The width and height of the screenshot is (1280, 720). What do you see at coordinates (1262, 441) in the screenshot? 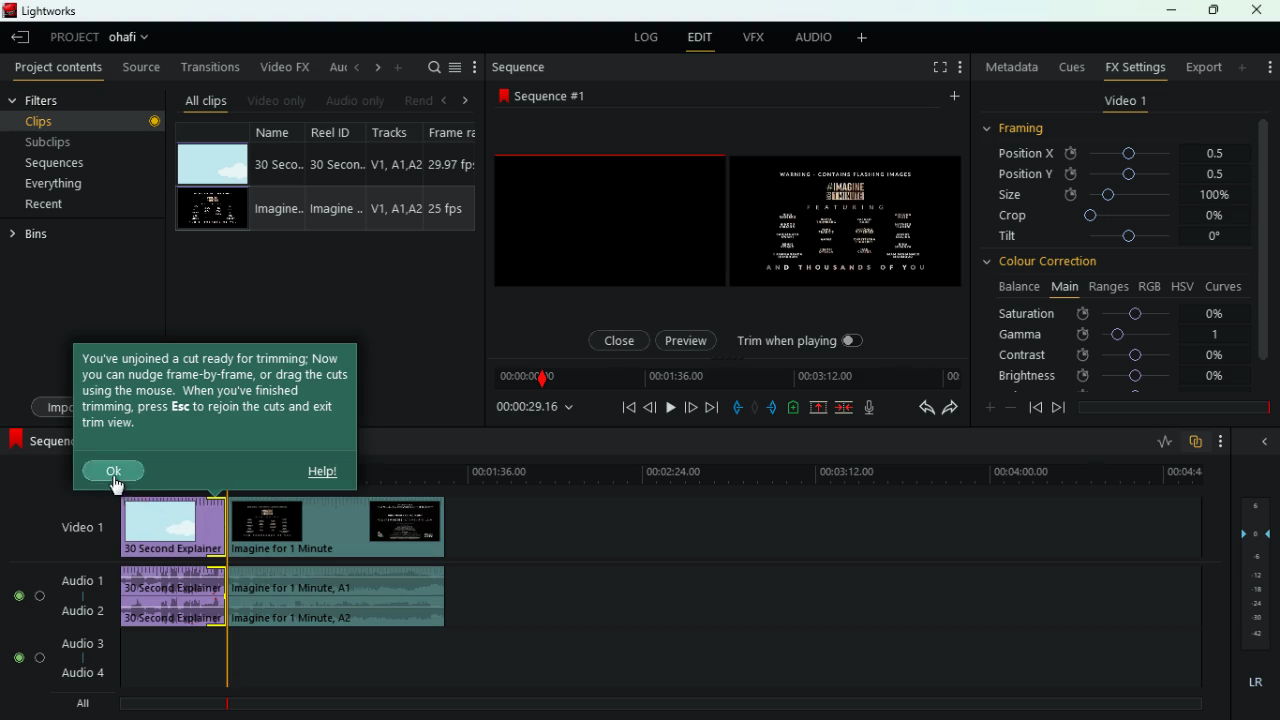
I see `back` at bounding box center [1262, 441].